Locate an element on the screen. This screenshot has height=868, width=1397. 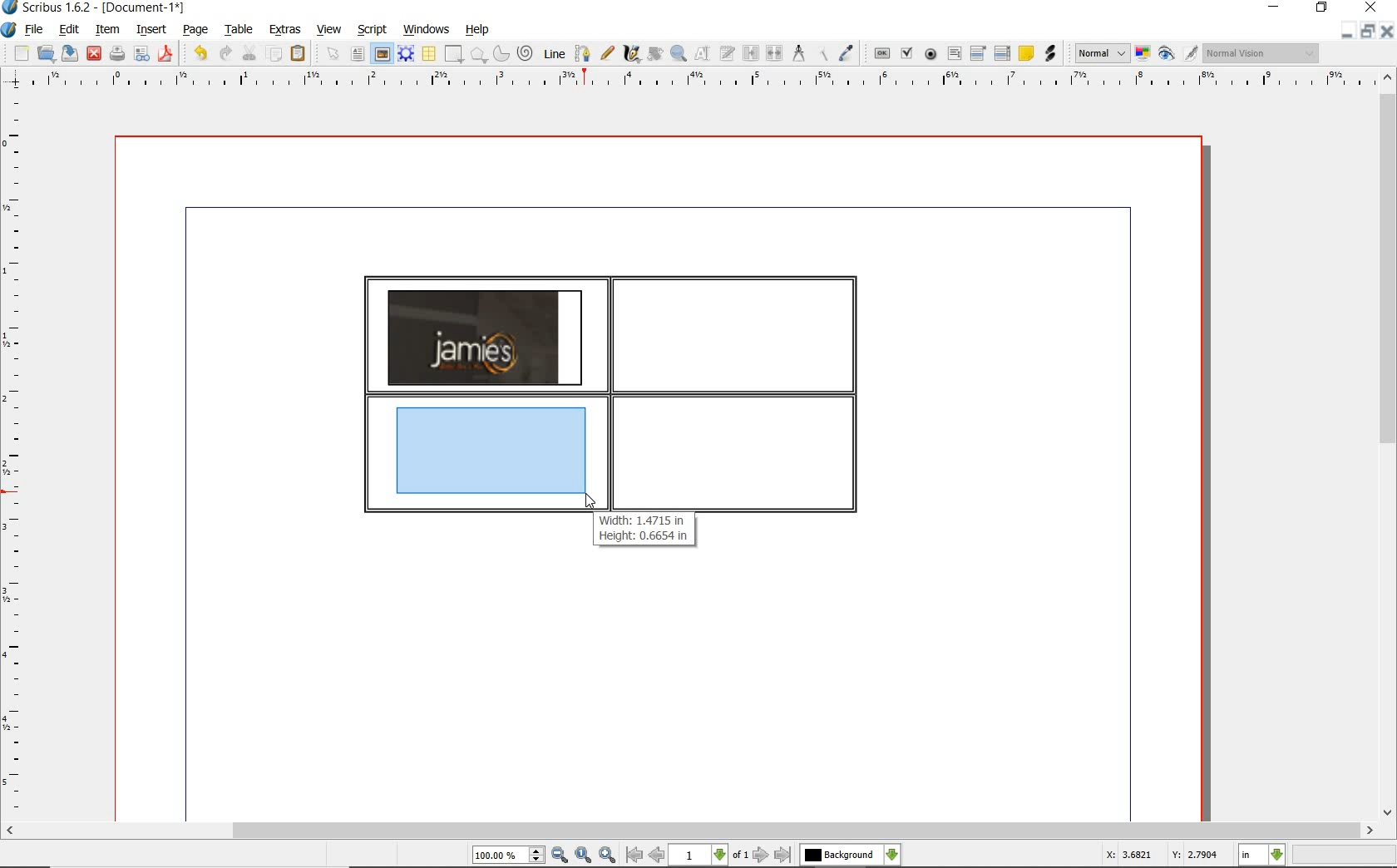
cursor is located at coordinates (590, 502).